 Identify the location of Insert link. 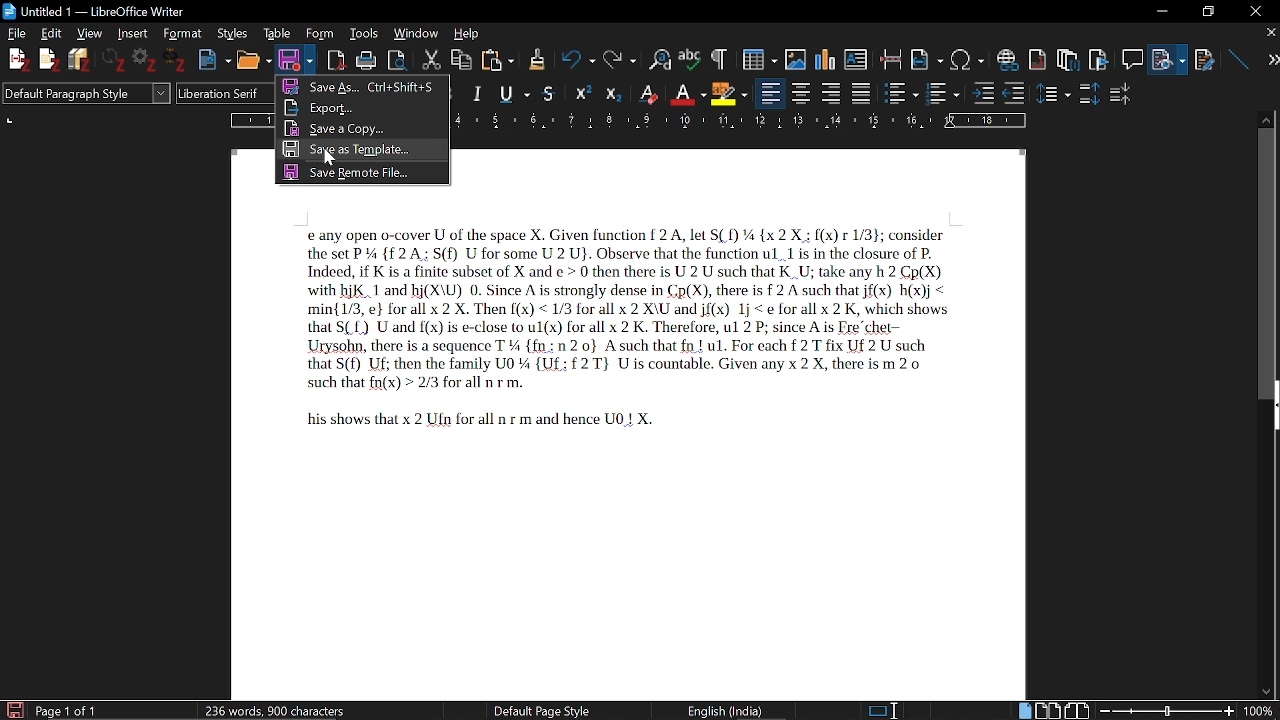
(1007, 56).